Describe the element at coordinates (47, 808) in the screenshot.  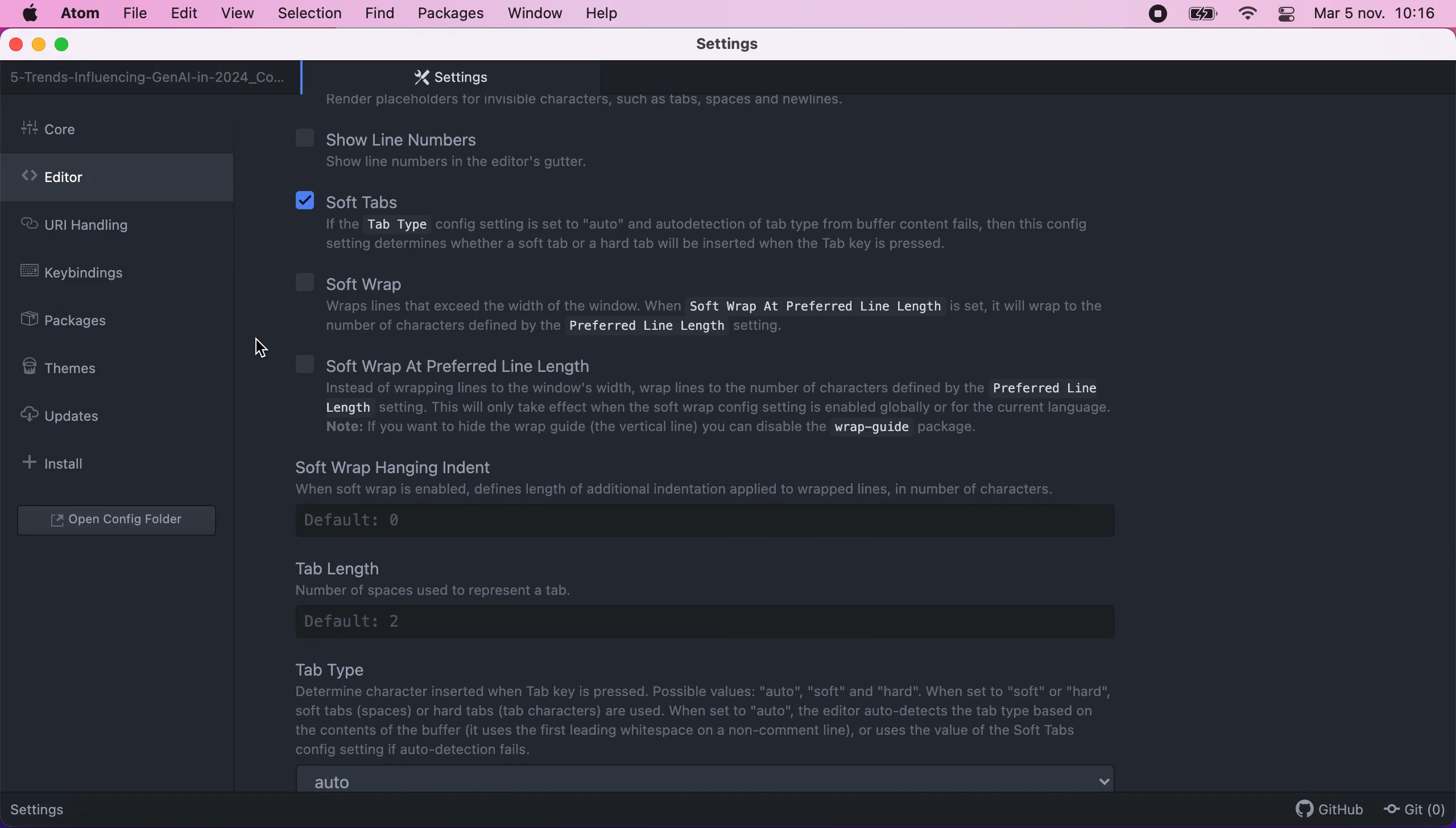
I see `settings` at that location.